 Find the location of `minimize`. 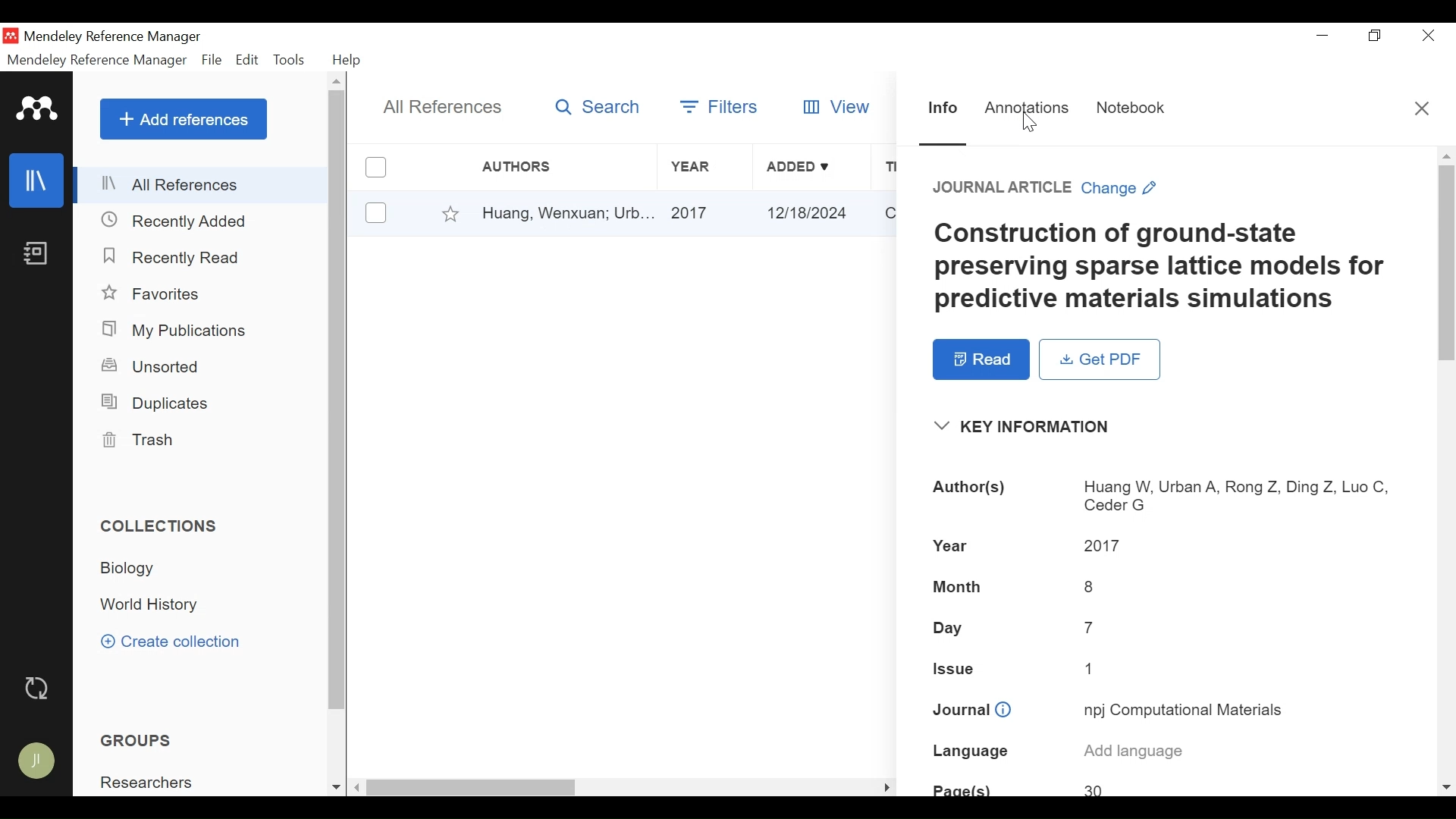

minimize is located at coordinates (1323, 36).